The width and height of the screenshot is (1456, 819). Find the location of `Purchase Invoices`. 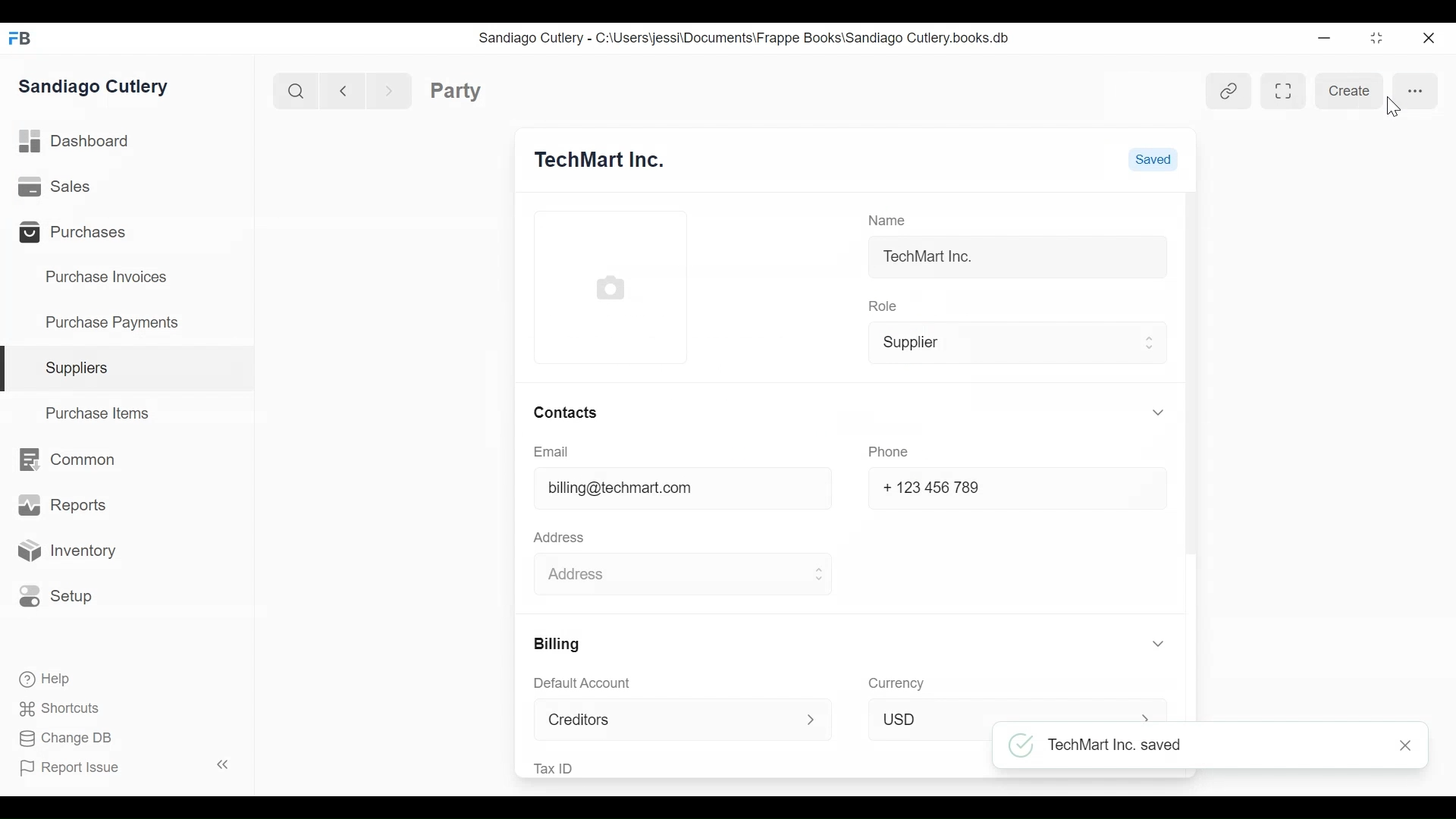

Purchase Invoices is located at coordinates (110, 279).